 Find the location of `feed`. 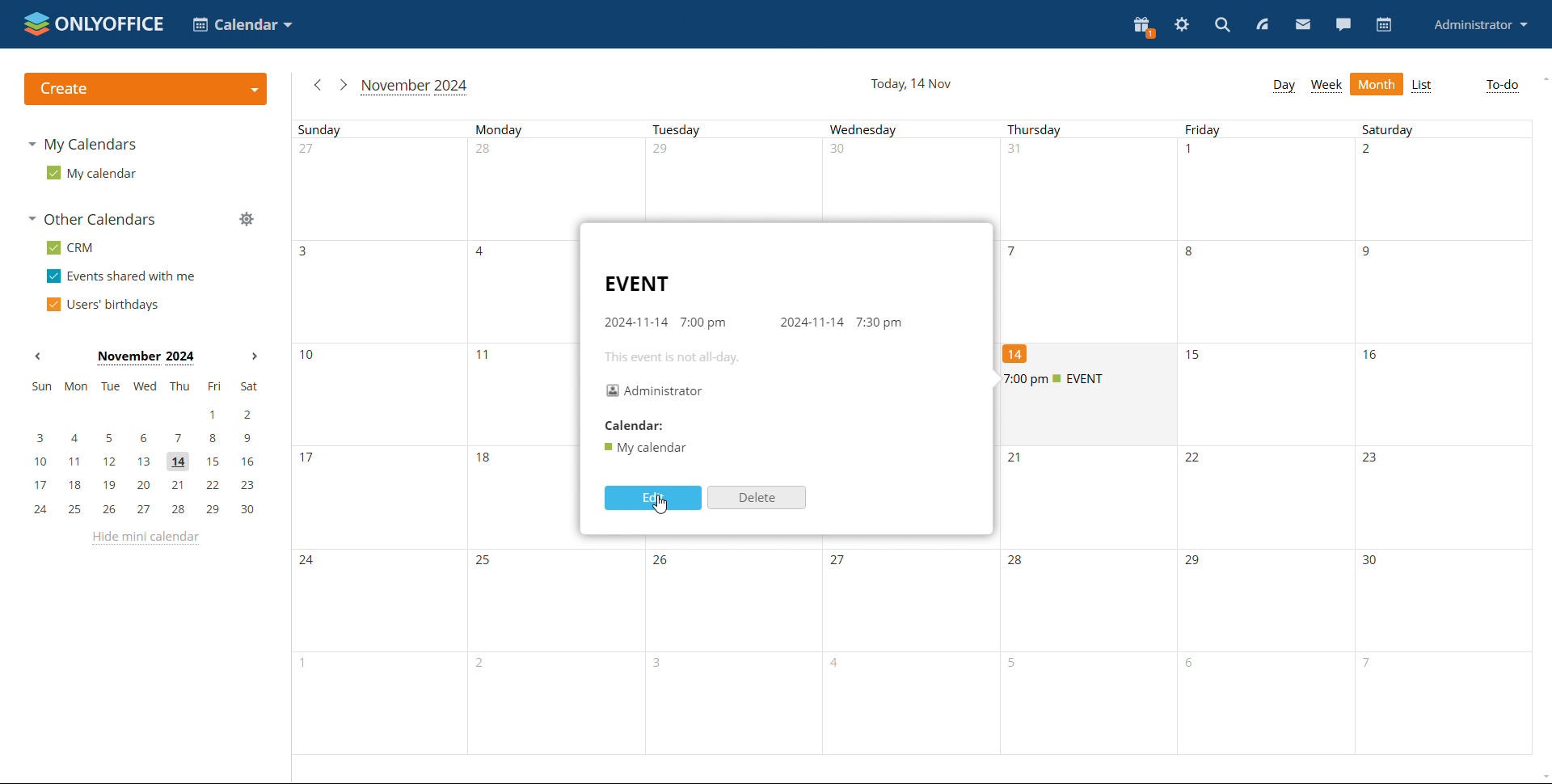

feed is located at coordinates (1261, 23).